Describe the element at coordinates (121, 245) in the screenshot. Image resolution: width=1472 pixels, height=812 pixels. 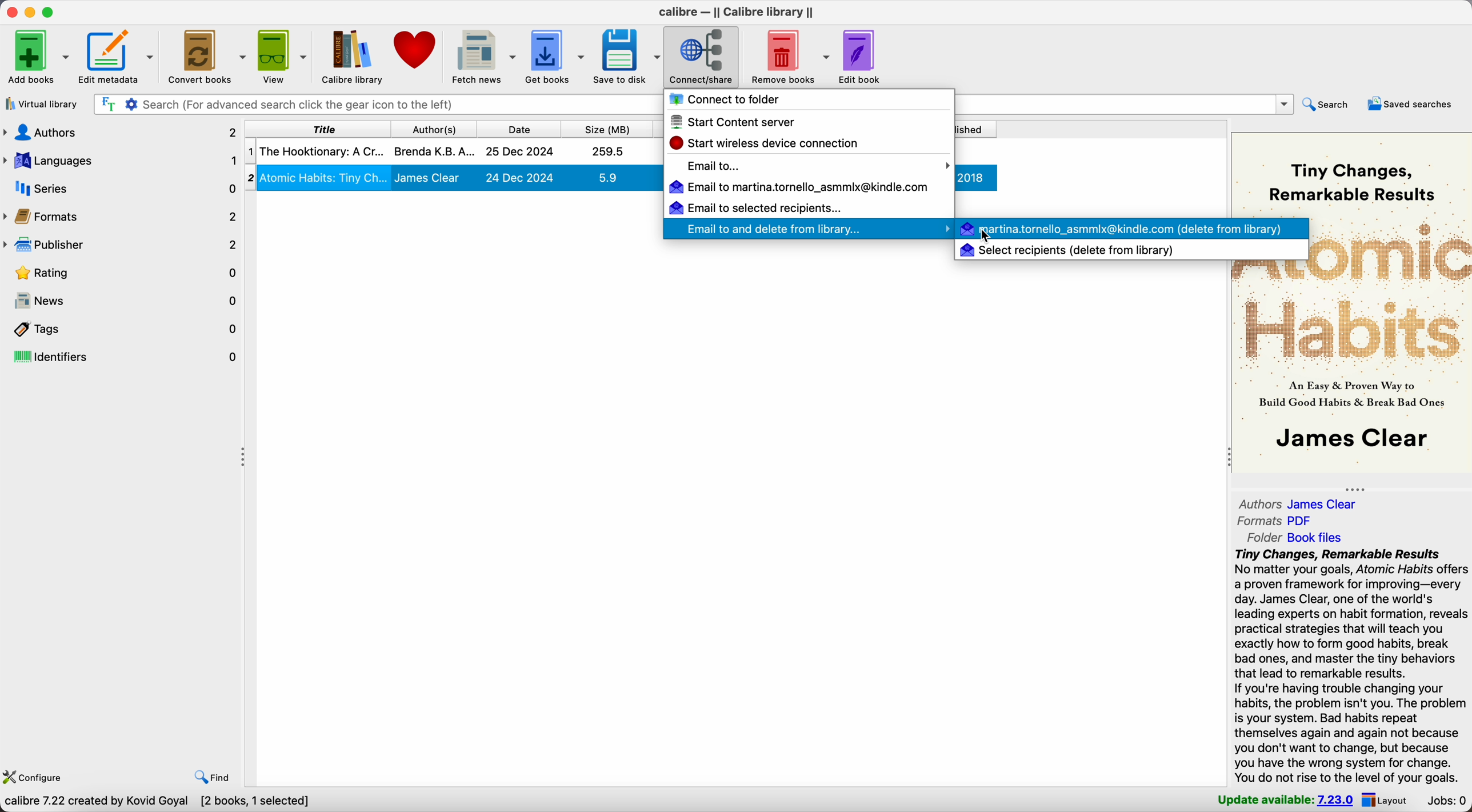
I see `publisher` at that location.